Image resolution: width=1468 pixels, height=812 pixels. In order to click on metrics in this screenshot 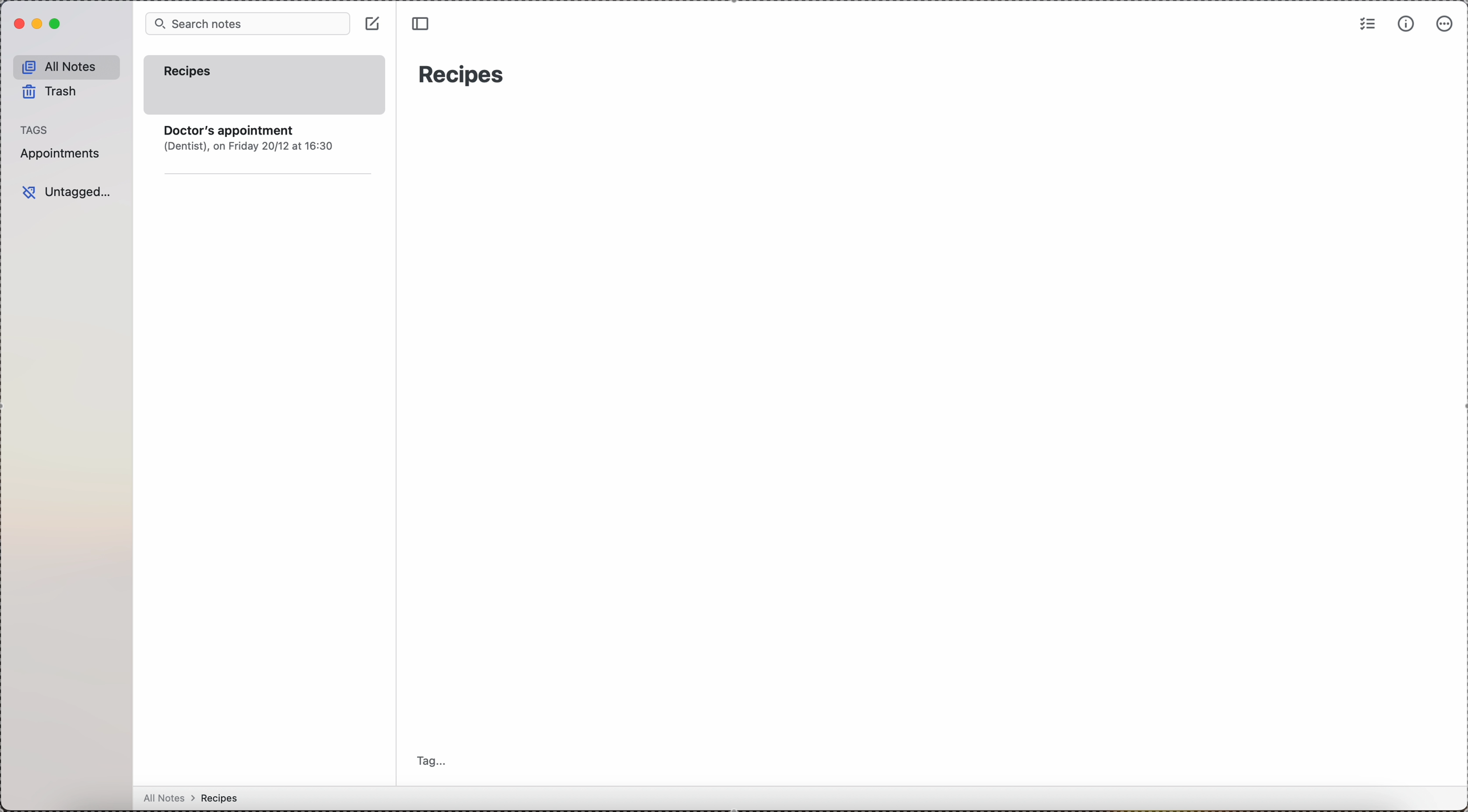, I will do `click(1406, 24)`.